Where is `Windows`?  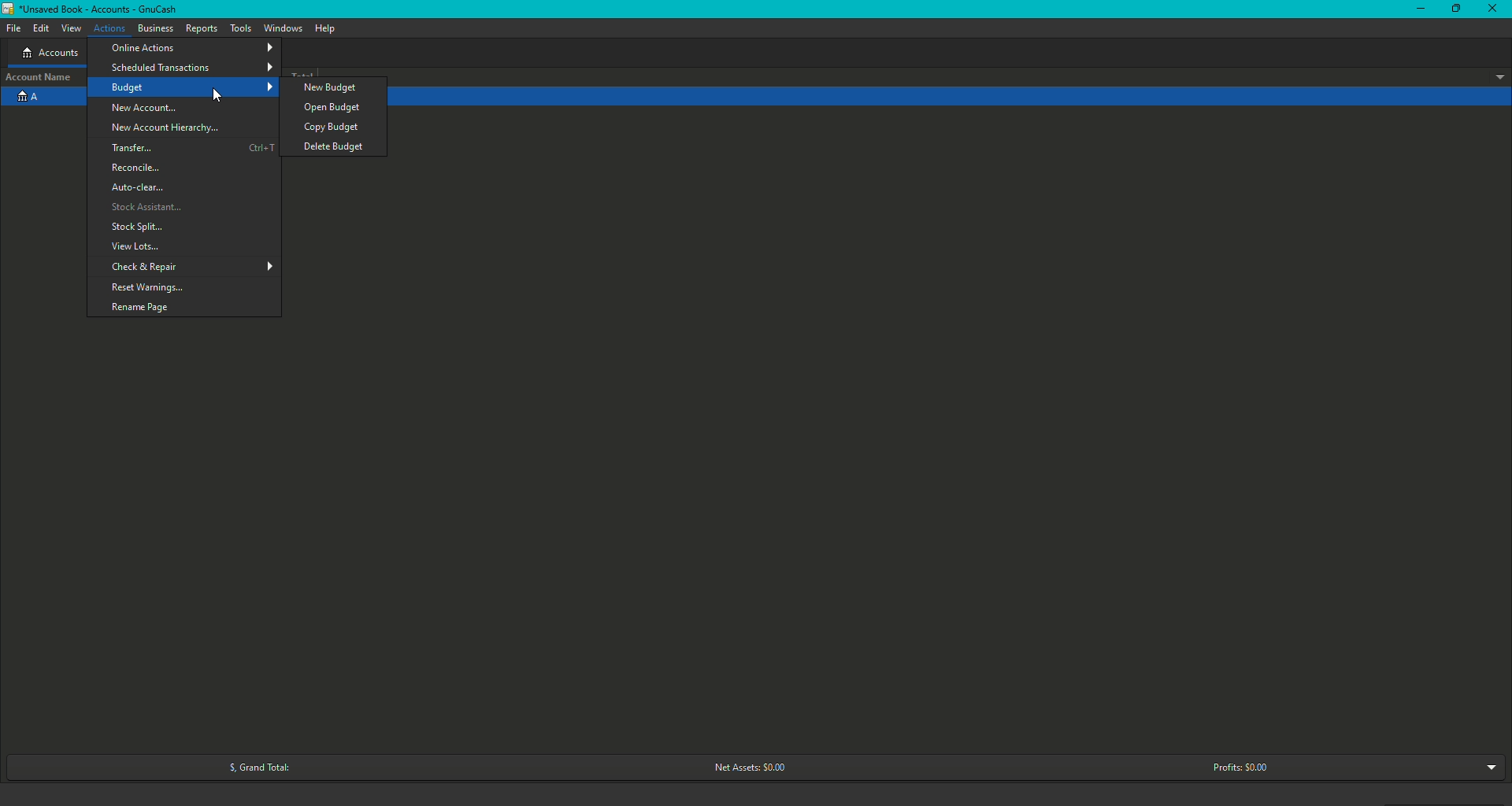
Windows is located at coordinates (283, 29).